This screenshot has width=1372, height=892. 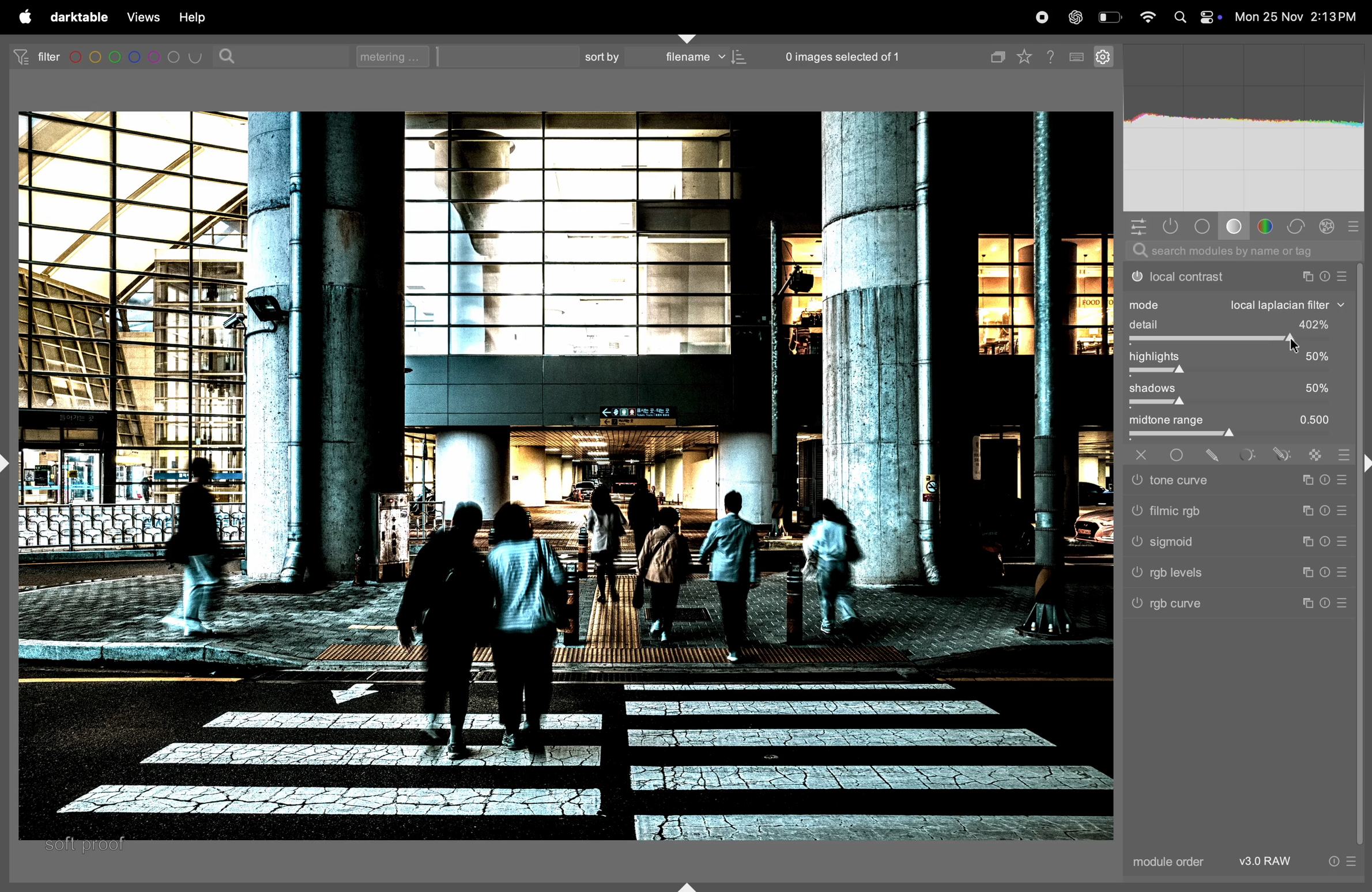 What do you see at coordinates (138, 58) in the screenshot?
I see `filters` at bounding box center [138, 58].